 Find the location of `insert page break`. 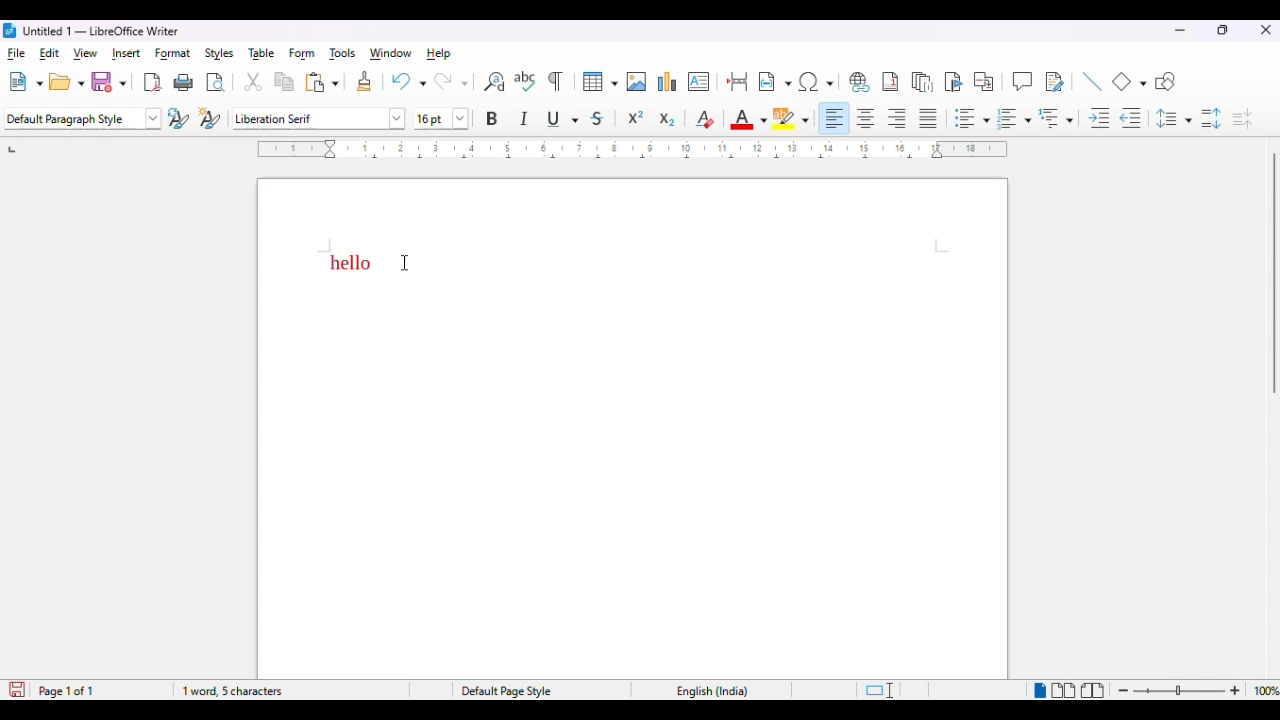

insert page break is located at coordinates (738, 81).